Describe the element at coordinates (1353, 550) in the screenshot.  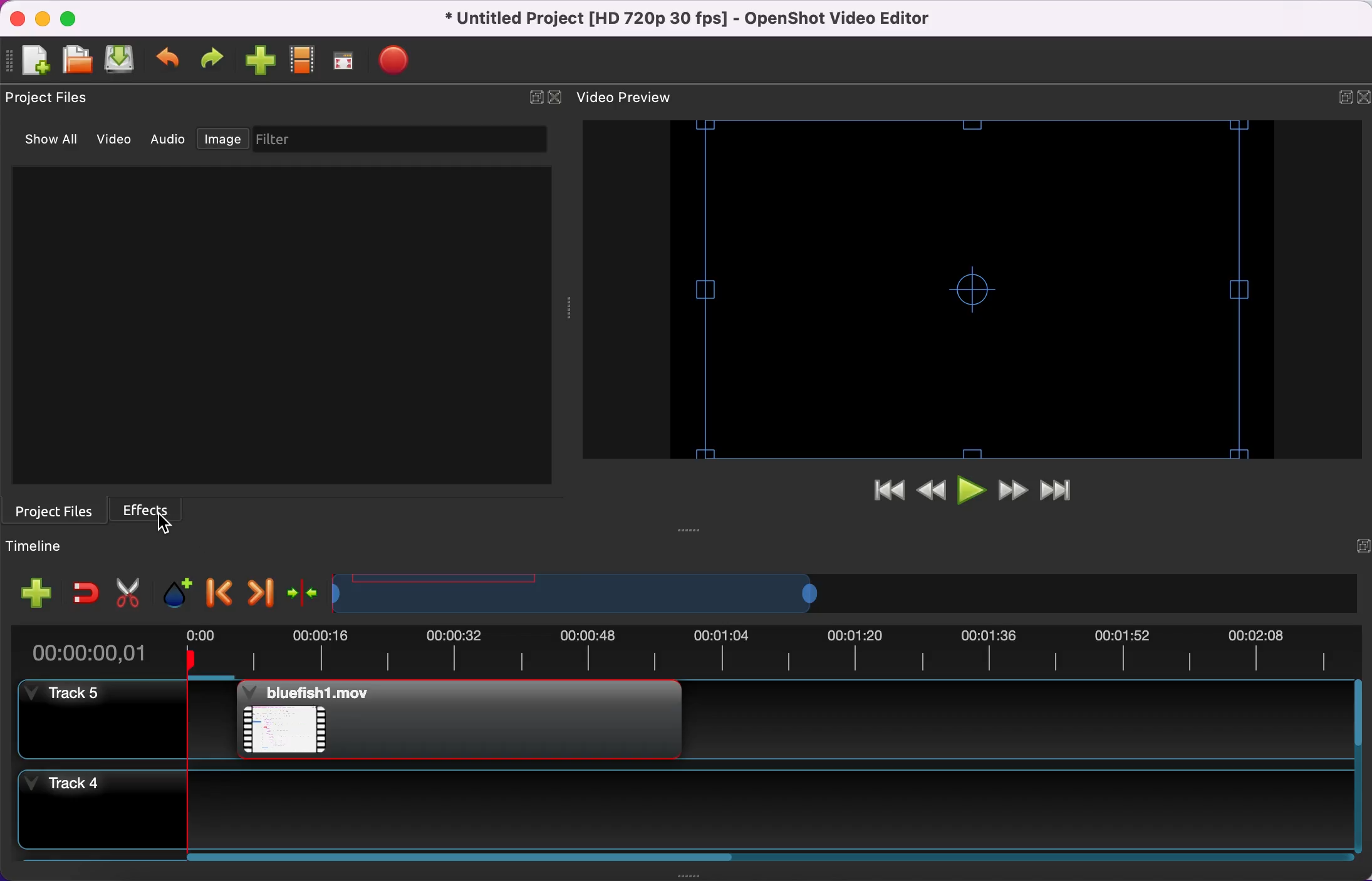
I see `expand/hide` at that location.